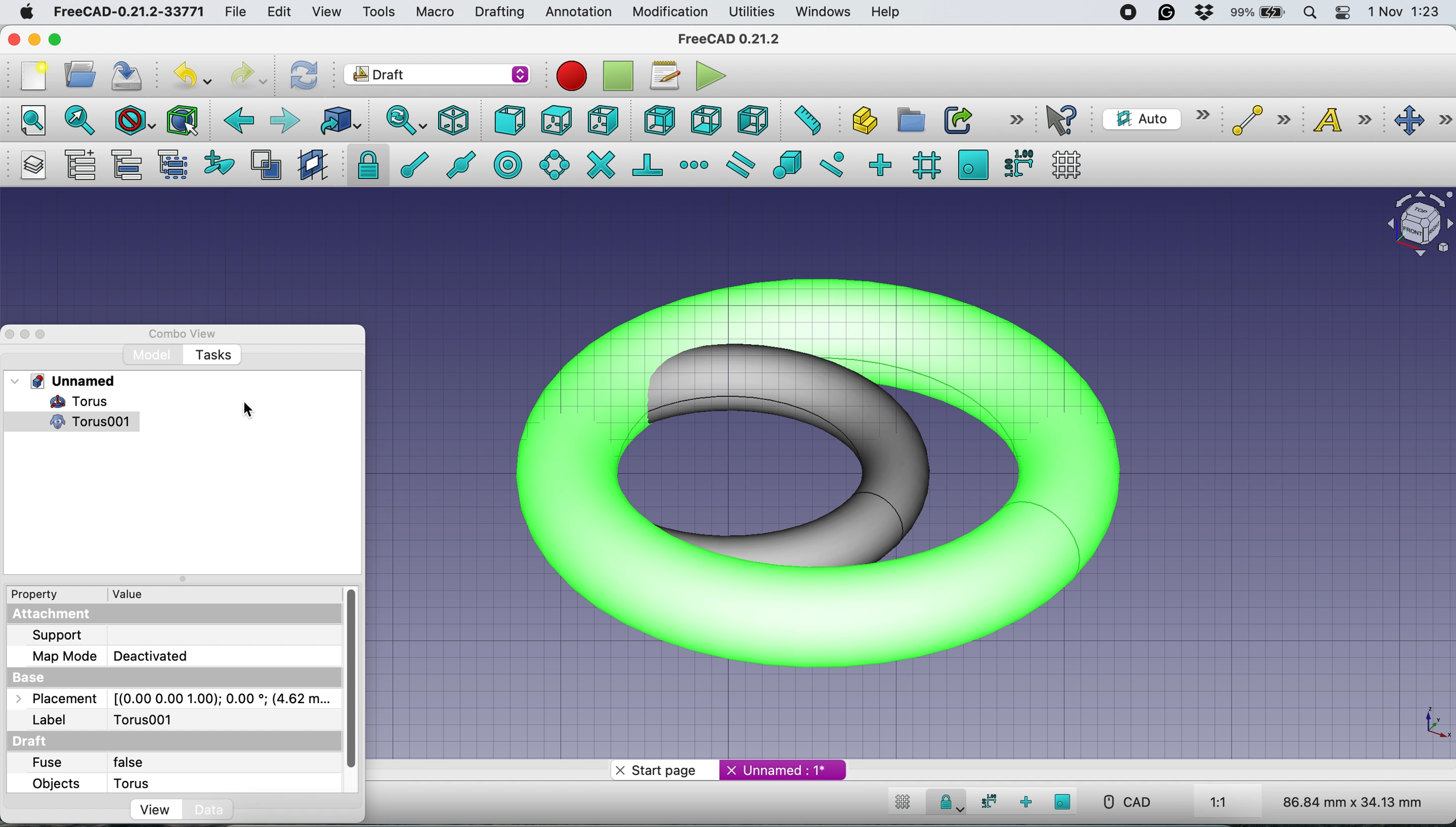  Describe the element at coordinates (36, 165) in the screenshot. I see `manage layers` at that location.